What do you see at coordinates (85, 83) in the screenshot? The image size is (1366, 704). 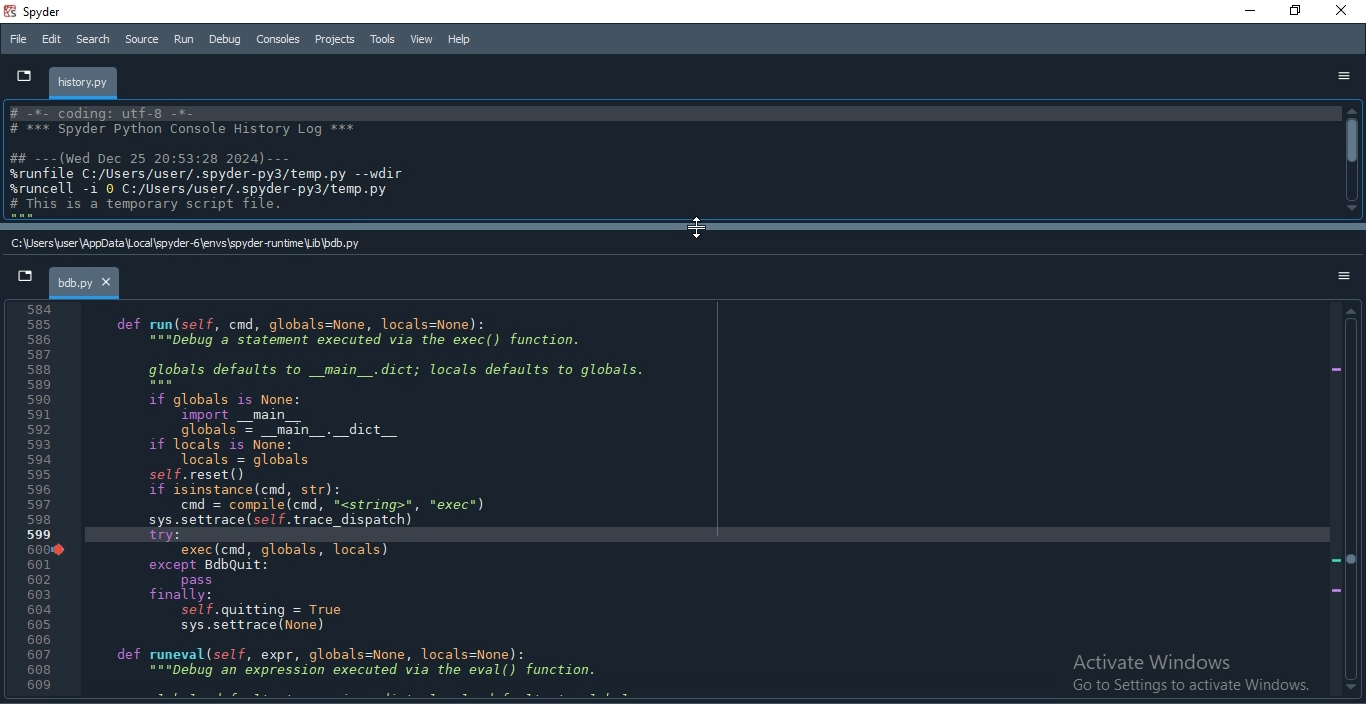 I see `tab title` at bounding box center [85, 83].